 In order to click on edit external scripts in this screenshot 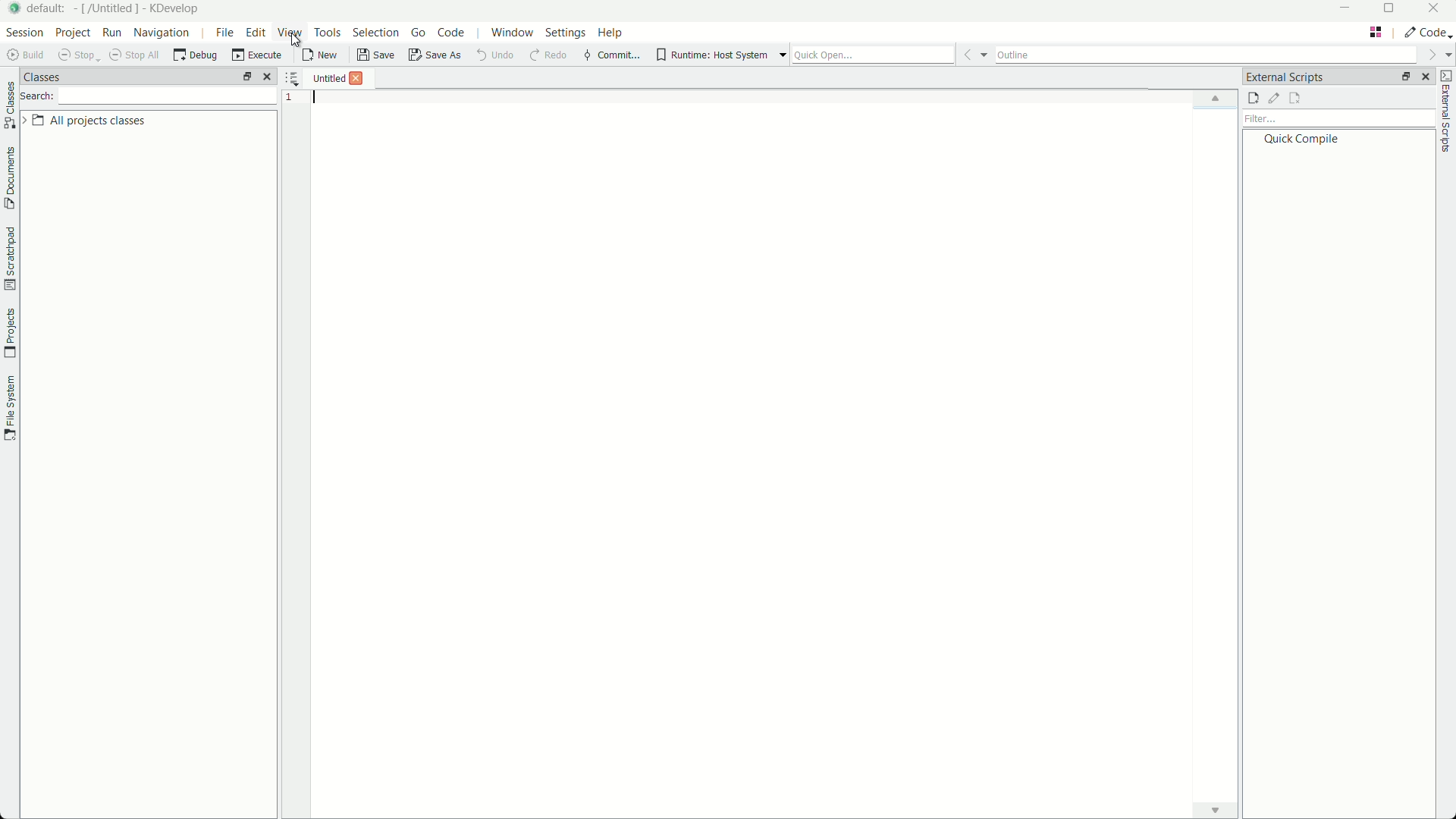, I will do `click(1275, 99)`.